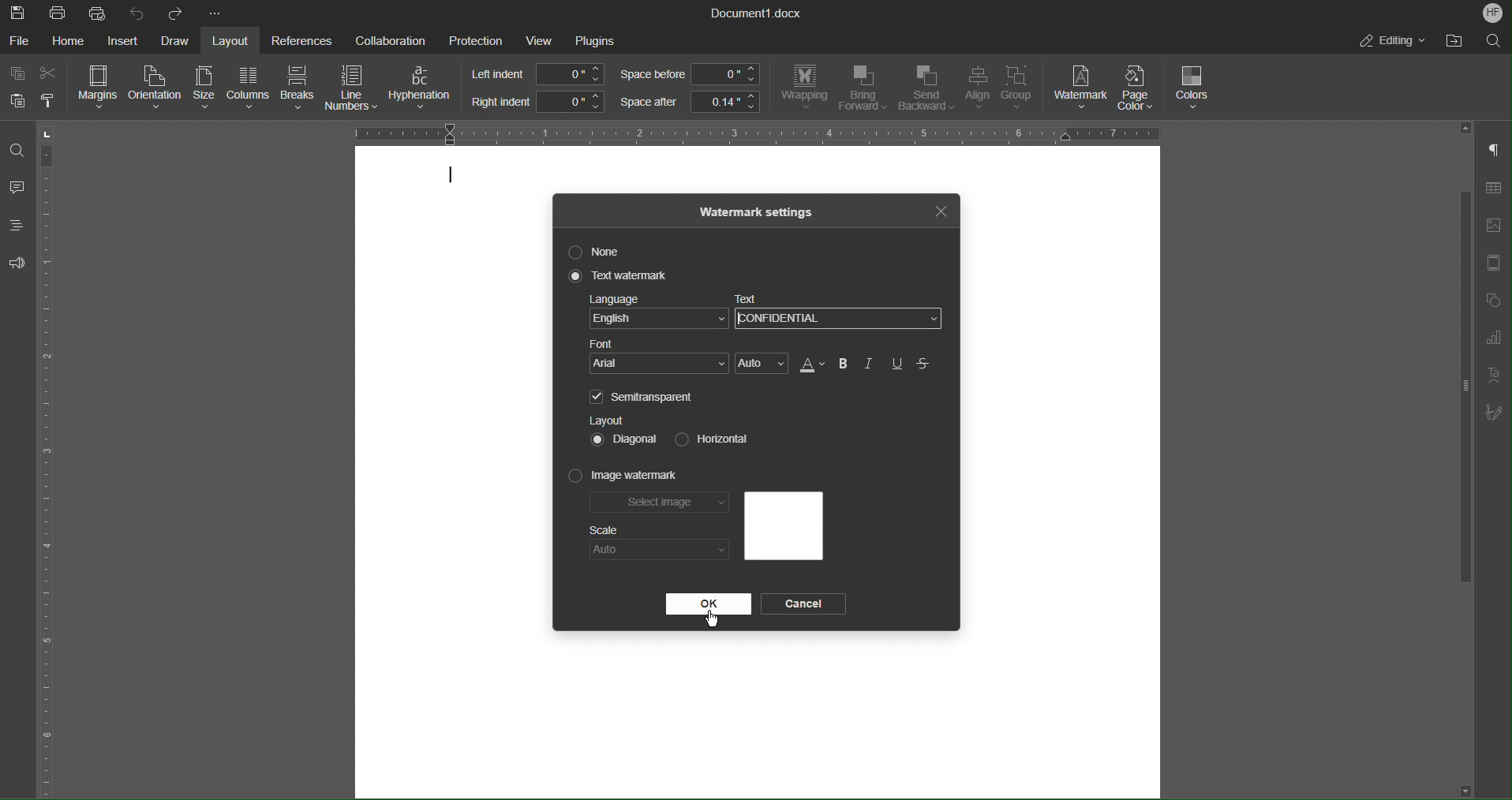  I want to click on Send Backward, so click(926, 89).